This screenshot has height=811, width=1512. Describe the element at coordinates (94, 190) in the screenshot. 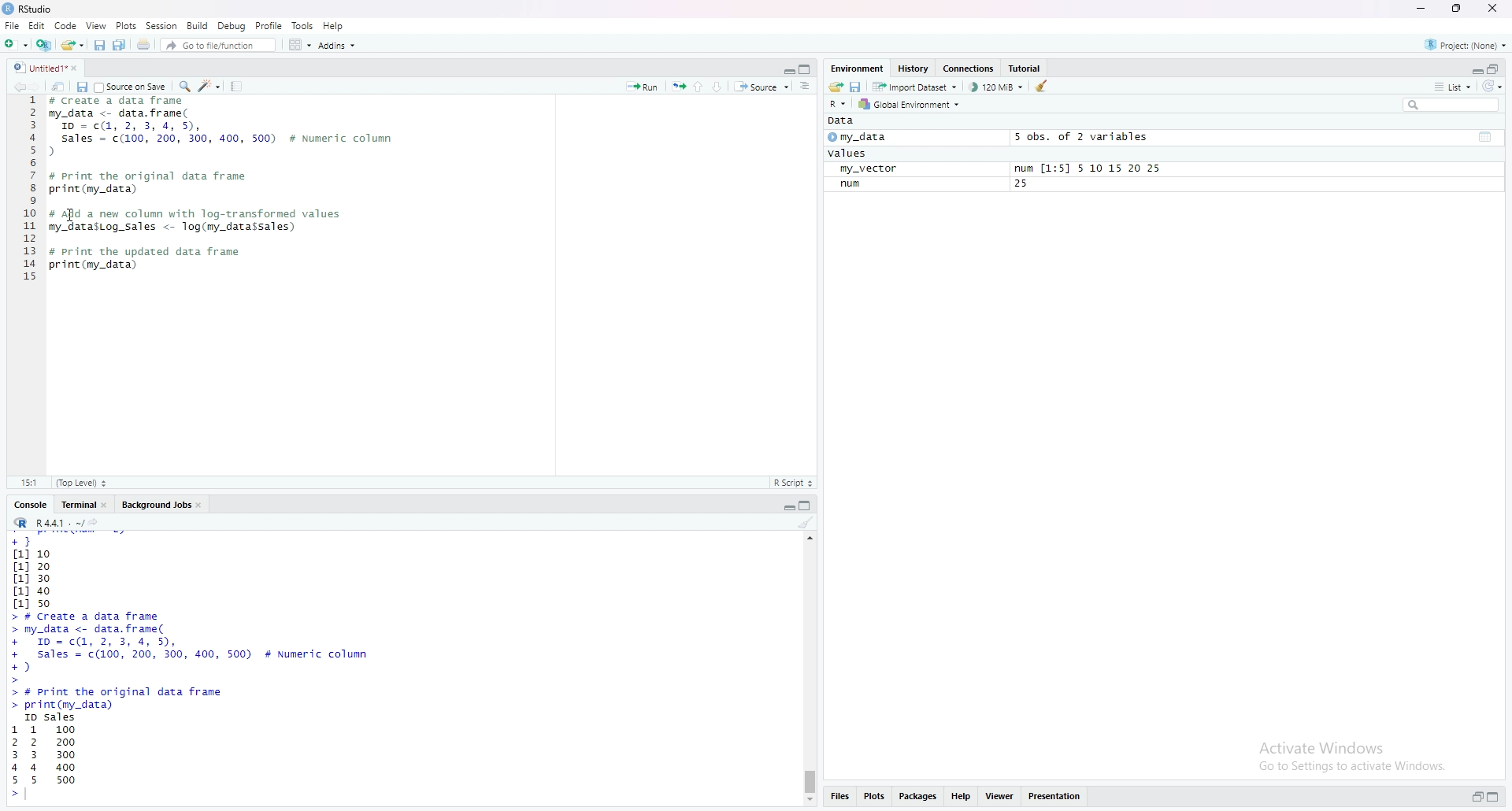

I see `print(My_data)` at that location.